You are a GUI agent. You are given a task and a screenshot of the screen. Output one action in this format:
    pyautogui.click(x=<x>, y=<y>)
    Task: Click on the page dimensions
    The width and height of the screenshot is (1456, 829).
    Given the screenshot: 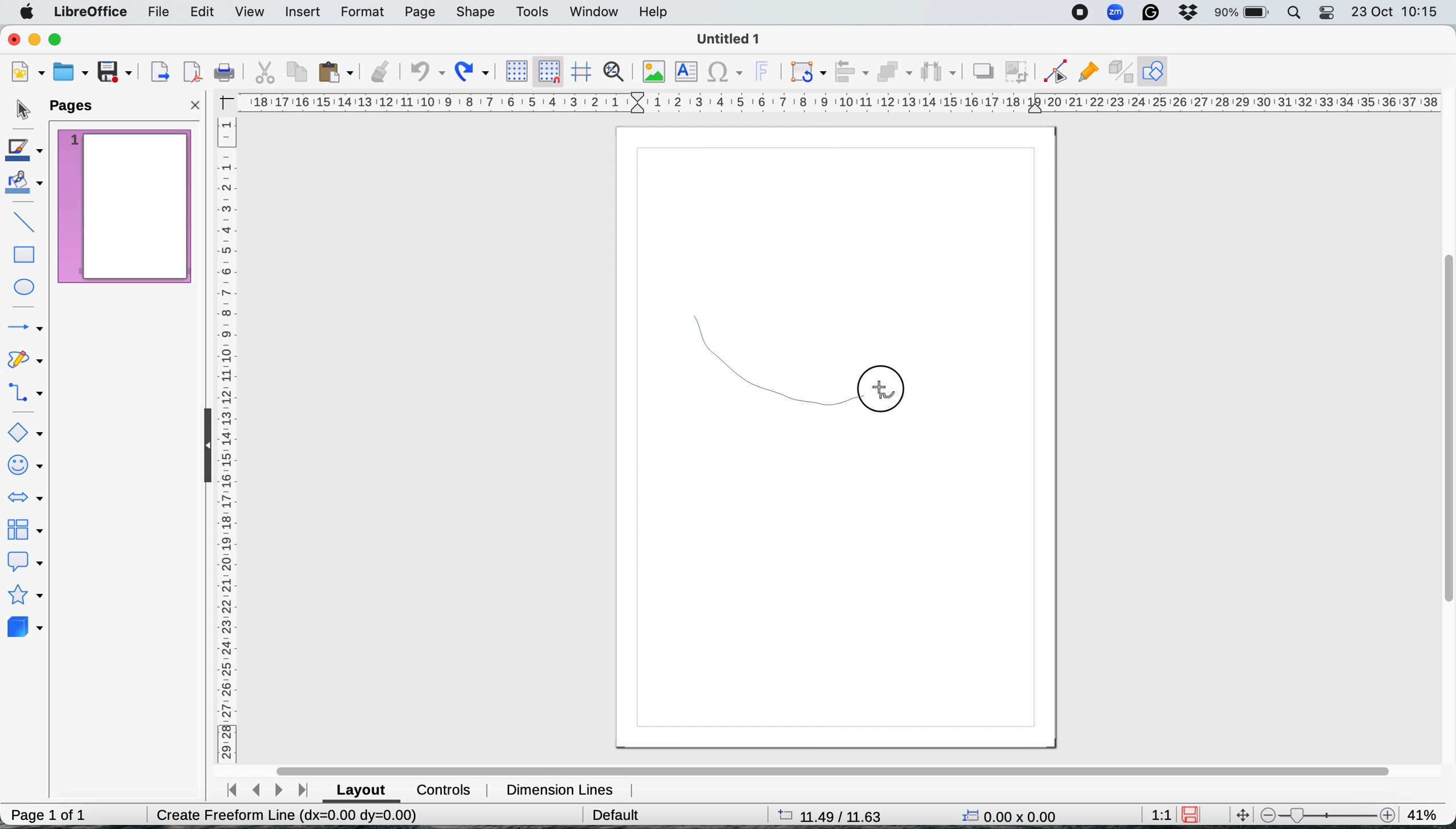 What is the action you would take?
    pyautogui.click(x=836, y=815)
    